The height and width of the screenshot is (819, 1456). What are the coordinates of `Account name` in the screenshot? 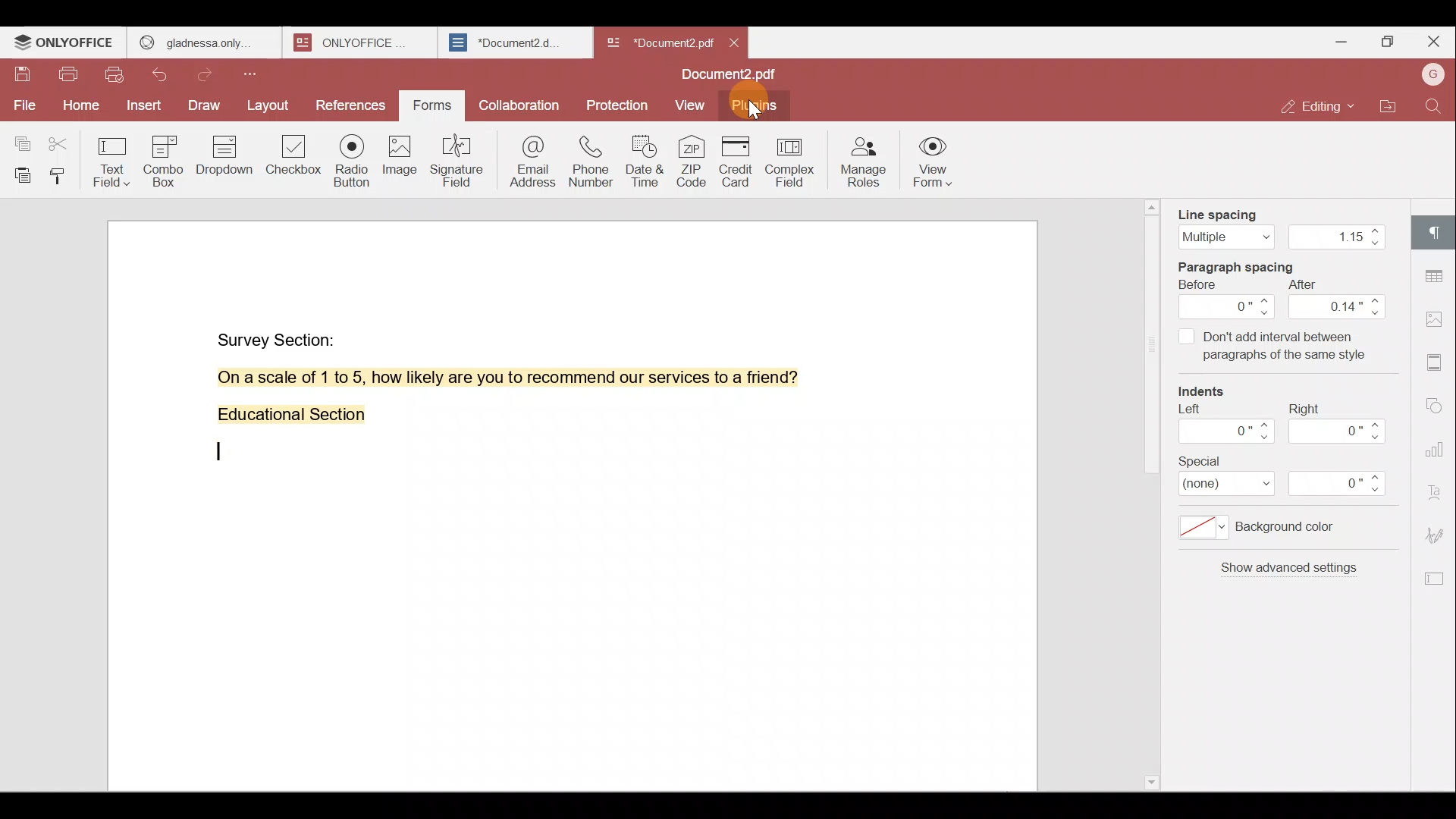 It's located at (1432, 76).